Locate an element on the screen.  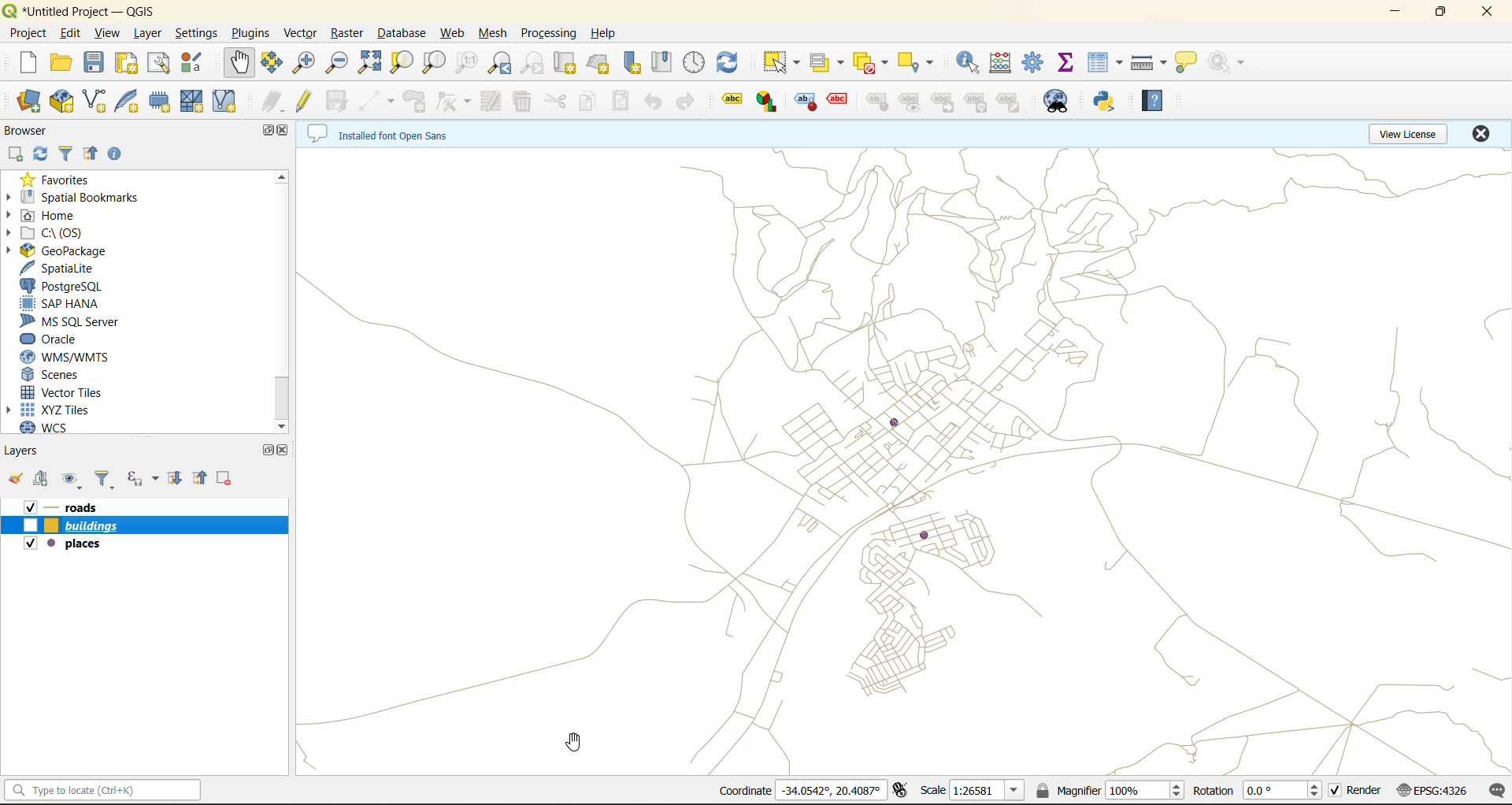
zoom native is located at coordinates (471, 62).